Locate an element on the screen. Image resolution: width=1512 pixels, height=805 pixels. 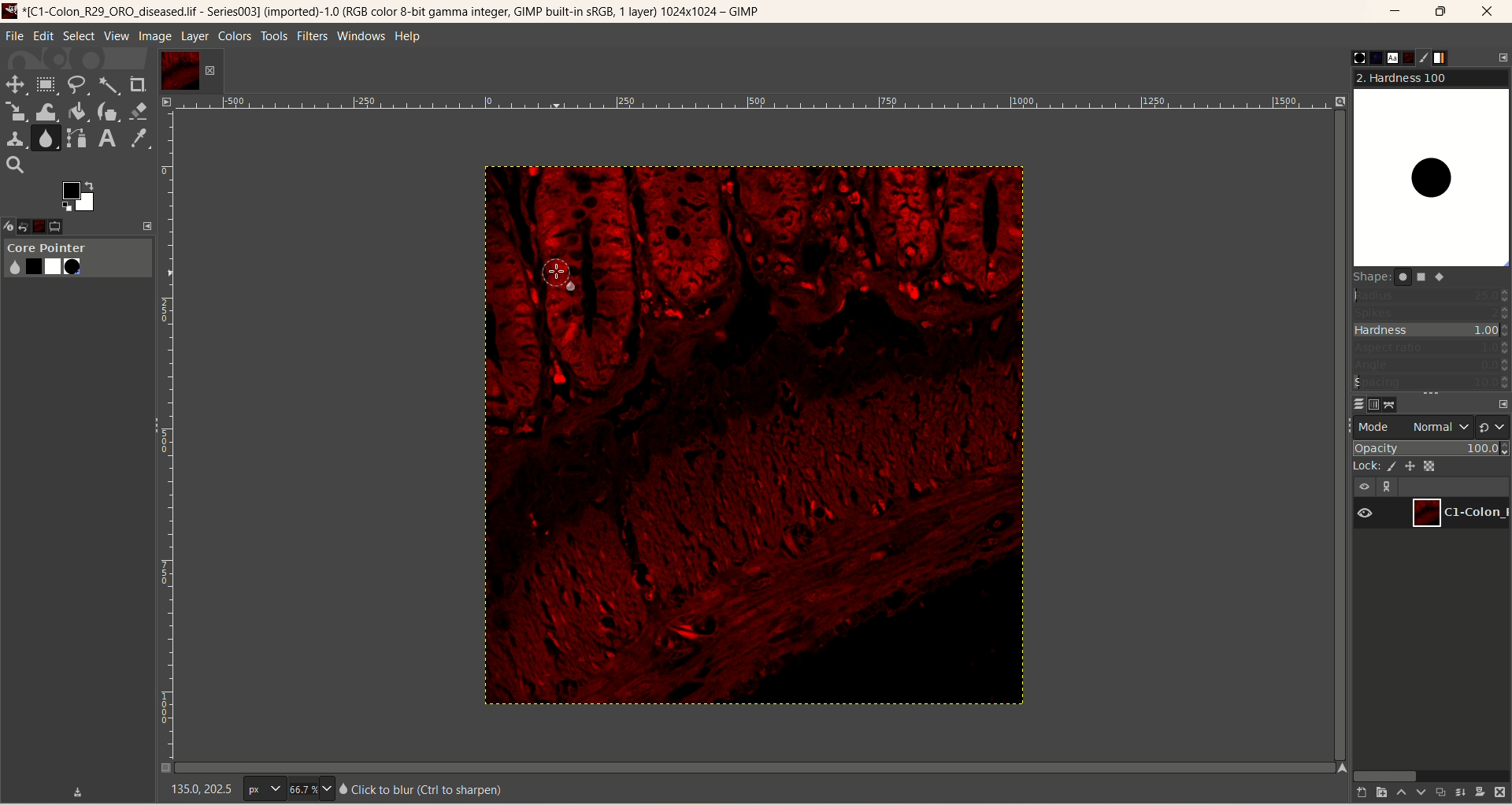
raise this layer one step is located at coordinates (1399, 793).